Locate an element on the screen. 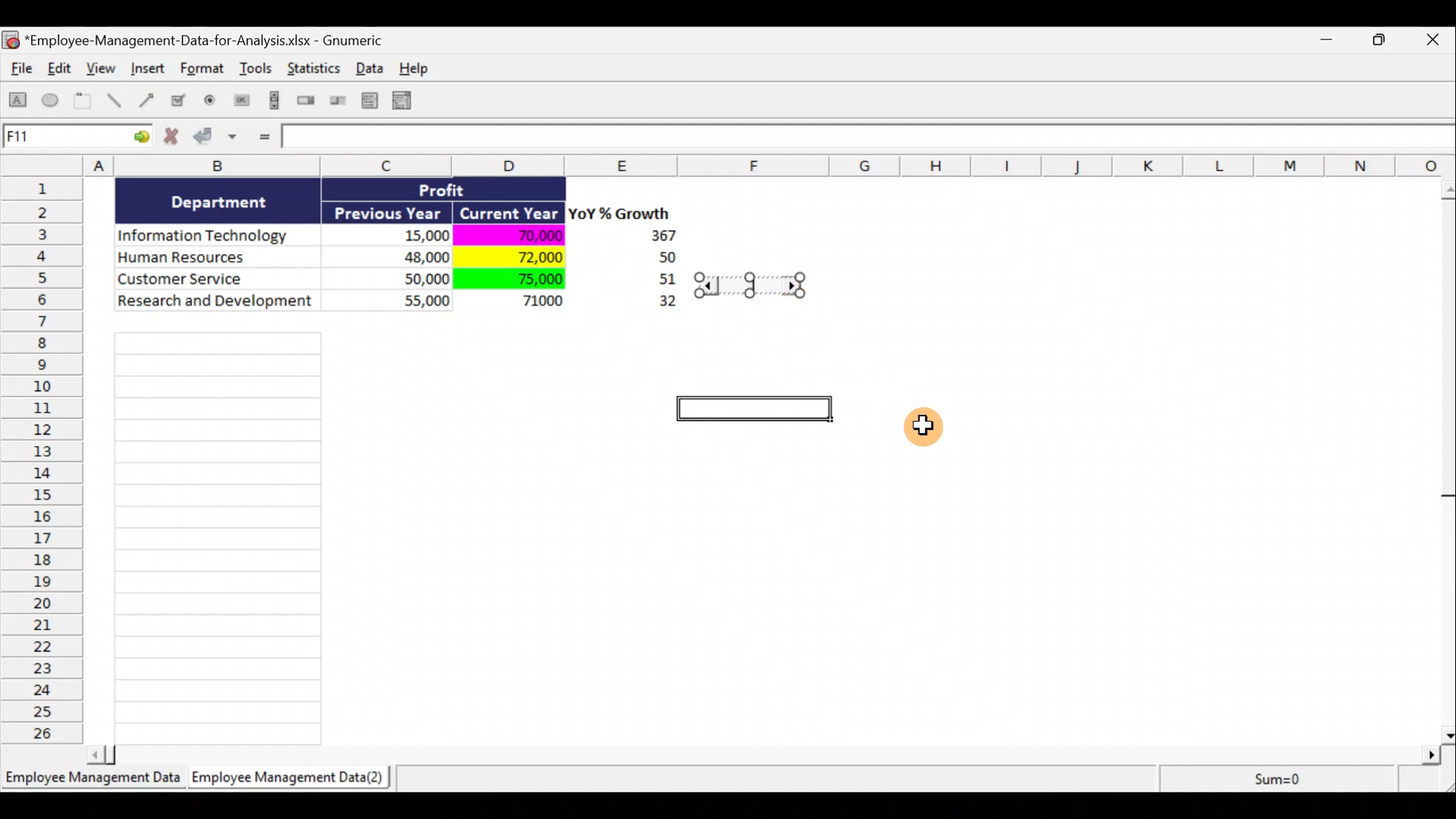 The height and width of the screenshot is (819, 1456). Statistics is located at coordinates (315, 73).